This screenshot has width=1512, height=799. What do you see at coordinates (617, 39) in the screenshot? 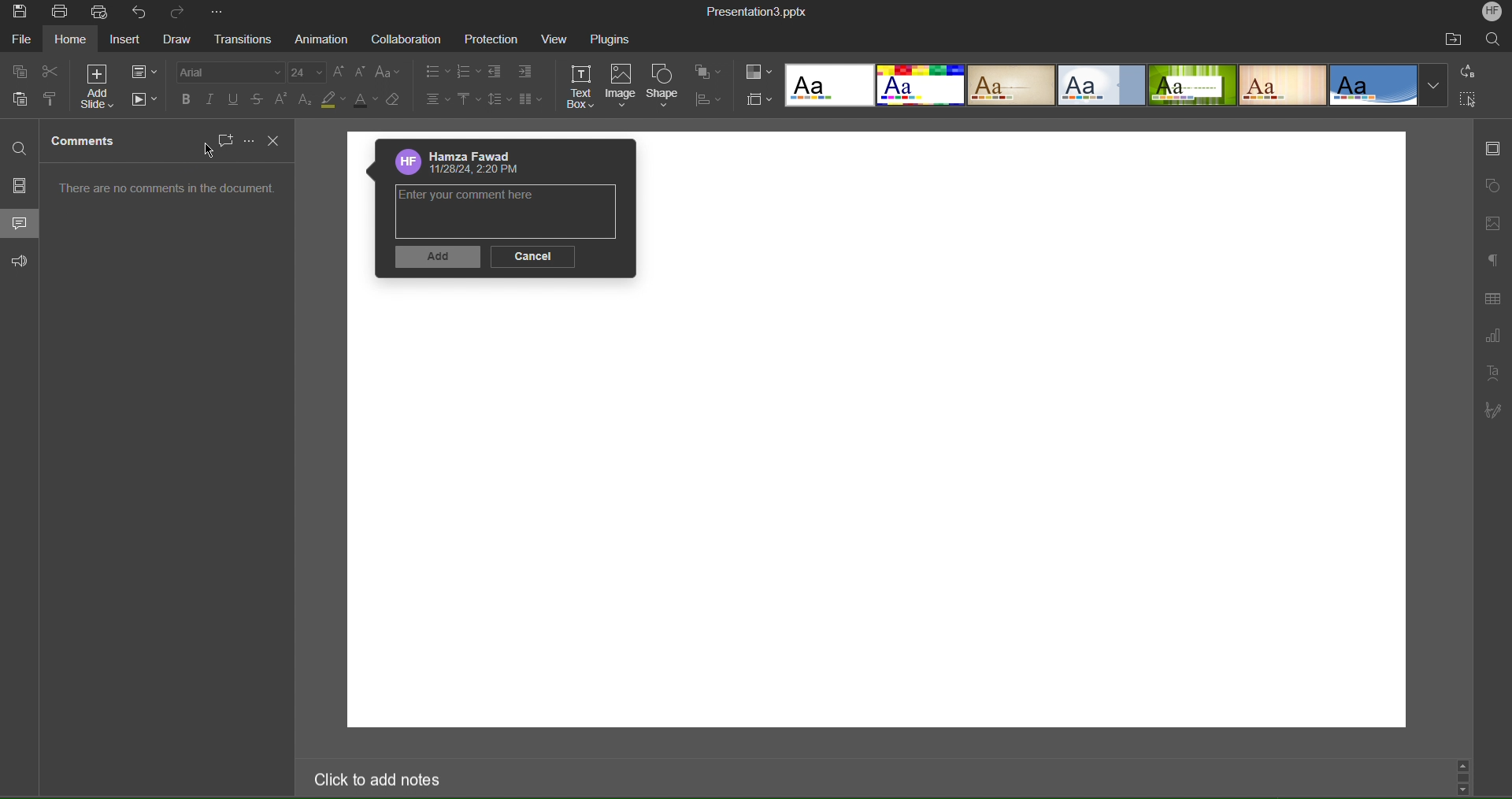
I see `Plugins` at bounding box center [617, 39].